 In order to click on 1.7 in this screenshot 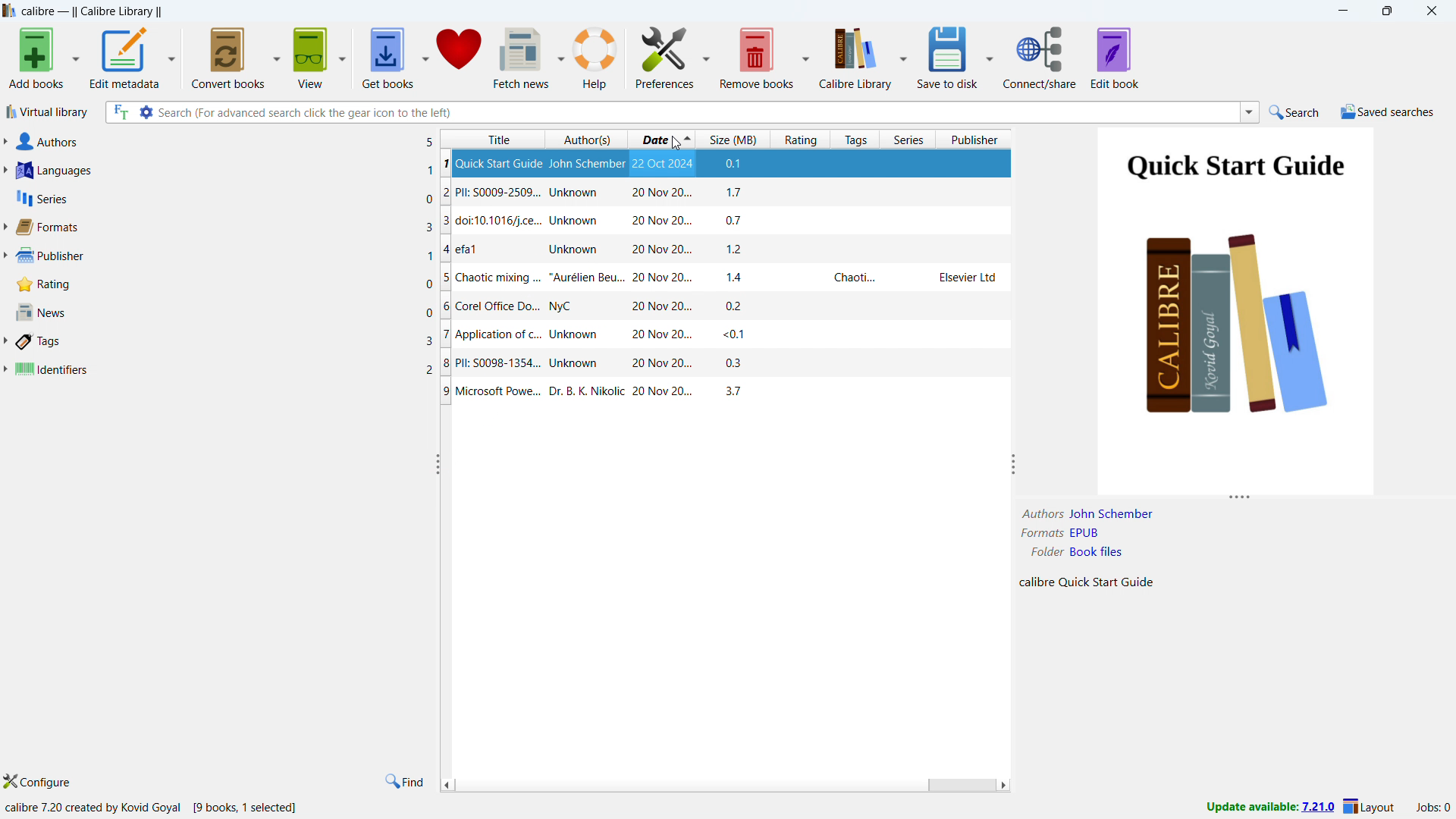, I will do `click(742, 249)`.